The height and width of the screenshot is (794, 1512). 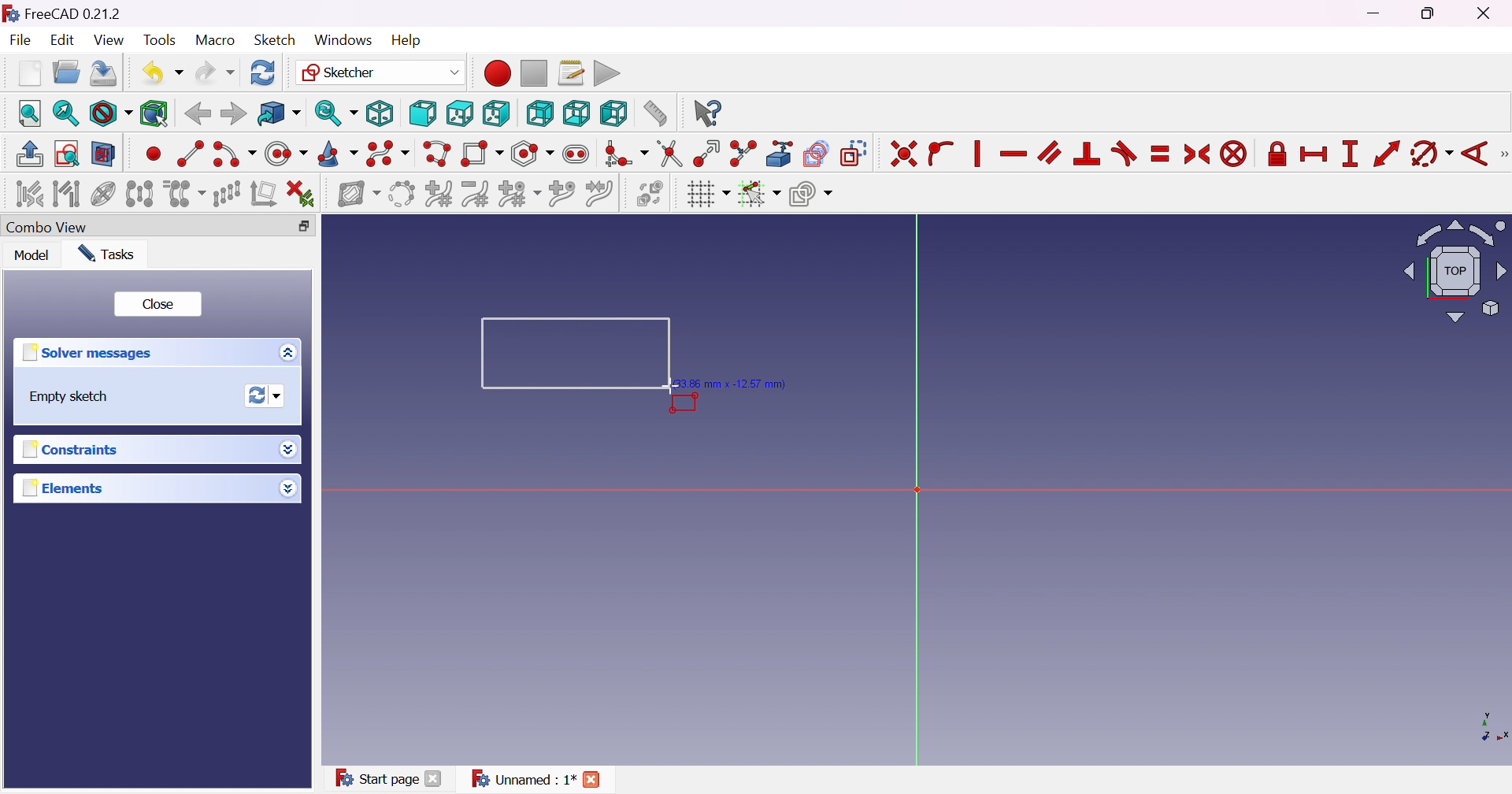 I want to click on Isometric, so click(x=380, y=113).